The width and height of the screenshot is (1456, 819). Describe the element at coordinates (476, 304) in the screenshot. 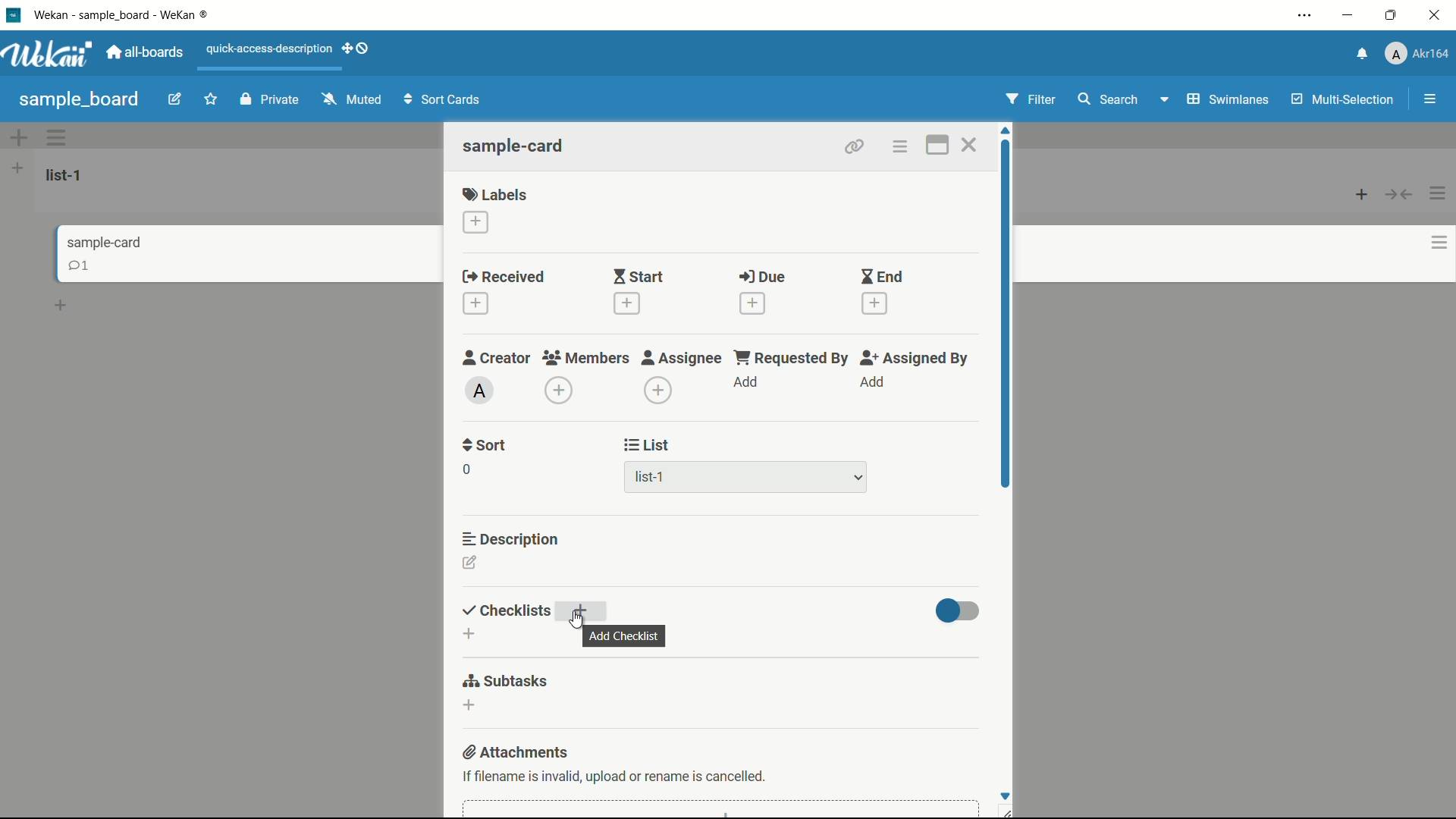

I see `add date` at that location.